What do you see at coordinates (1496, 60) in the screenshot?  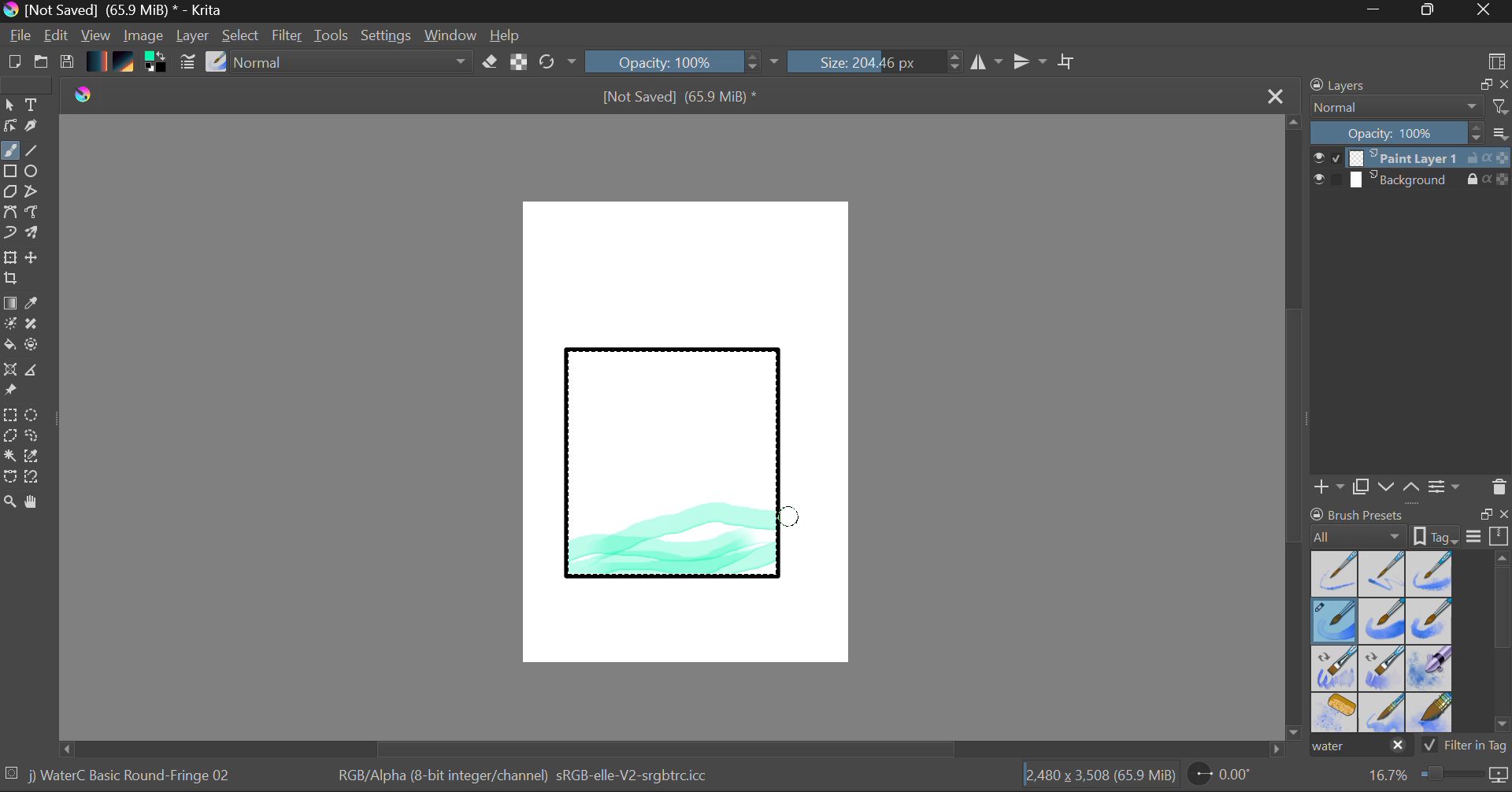 I see `Choose Workspace` at bounding box center [1496, 60].